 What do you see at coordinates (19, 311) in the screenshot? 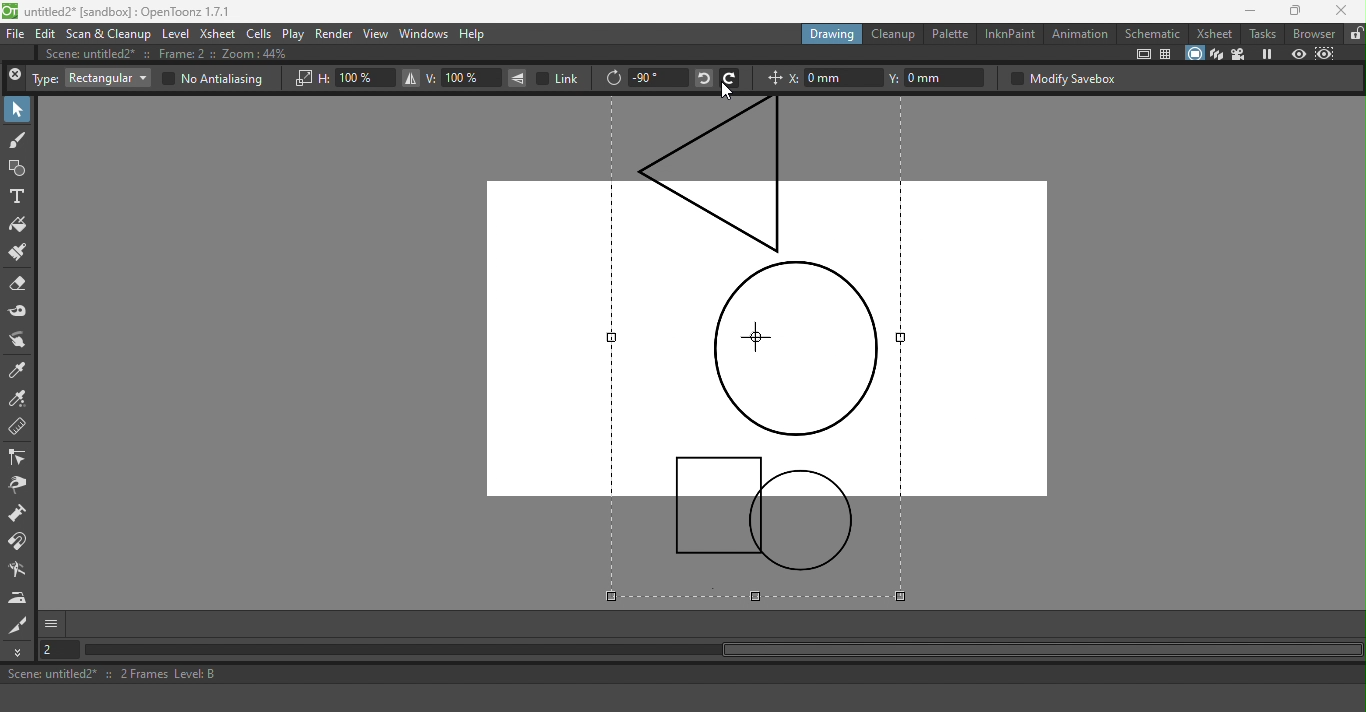
I see `Tape tool` at bounding box center [19, 311].